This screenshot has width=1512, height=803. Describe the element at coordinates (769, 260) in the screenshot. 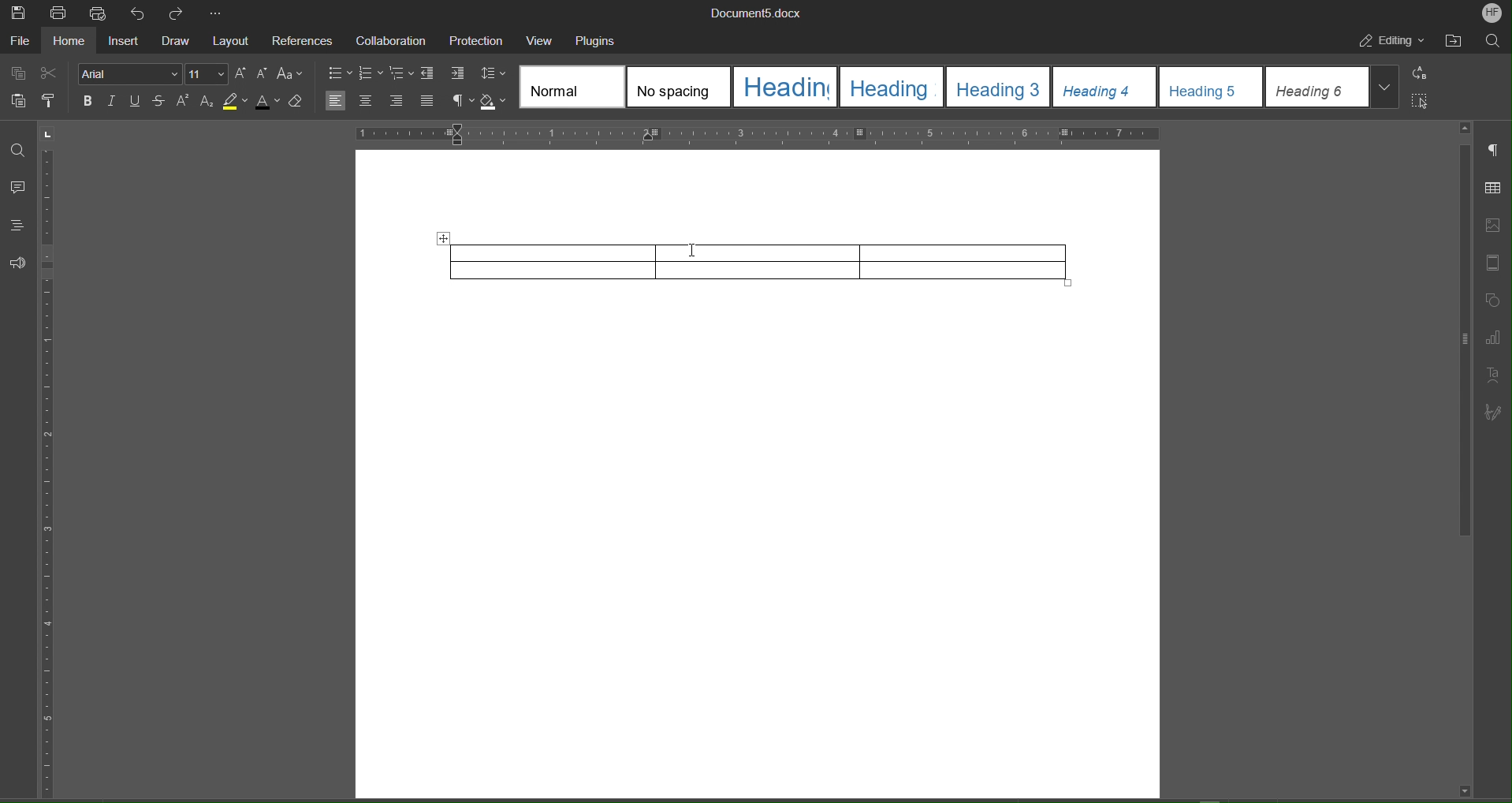

I see `Table` at that location.